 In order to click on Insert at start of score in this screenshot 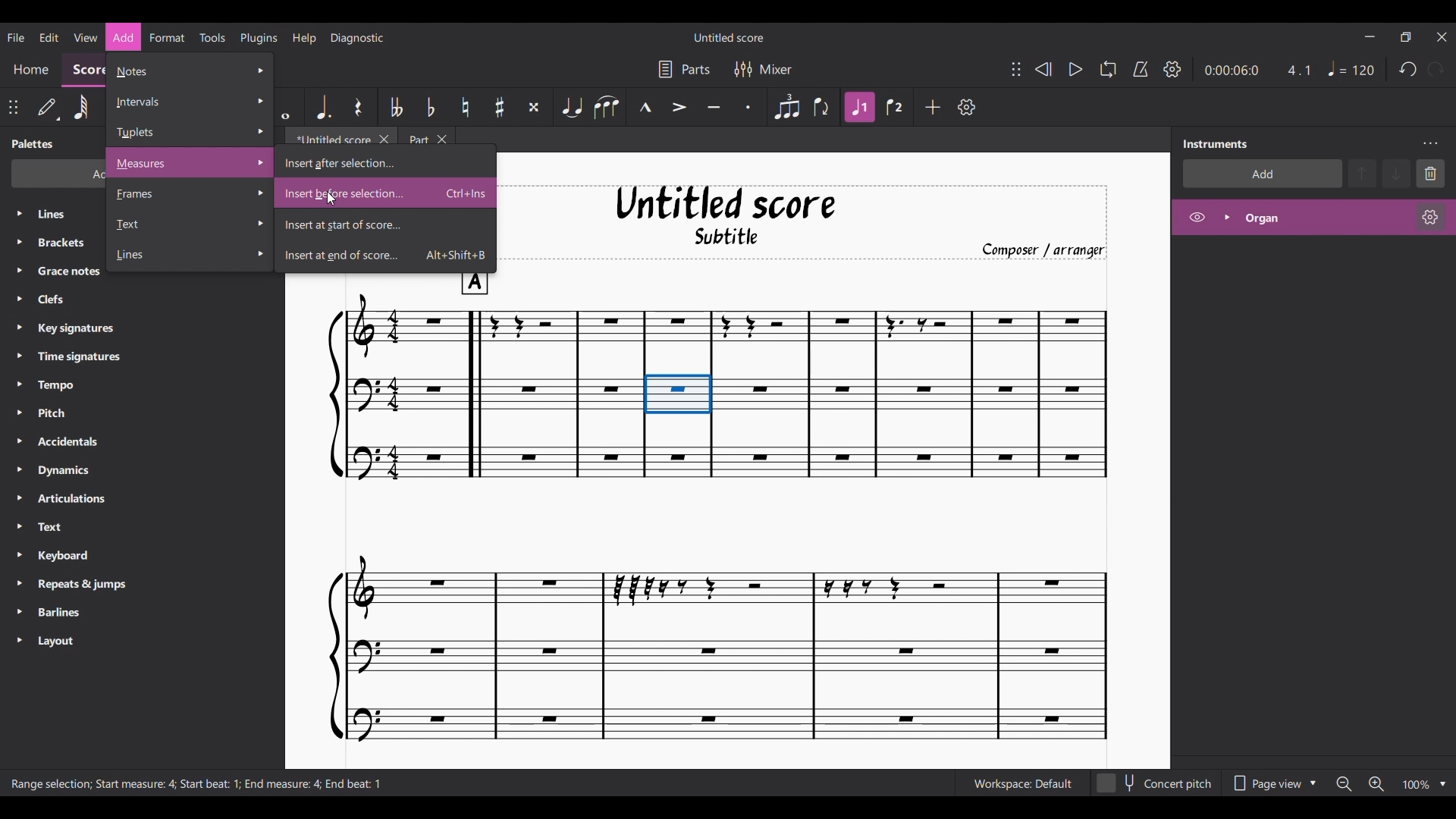, I will do `click(385, 224)`.